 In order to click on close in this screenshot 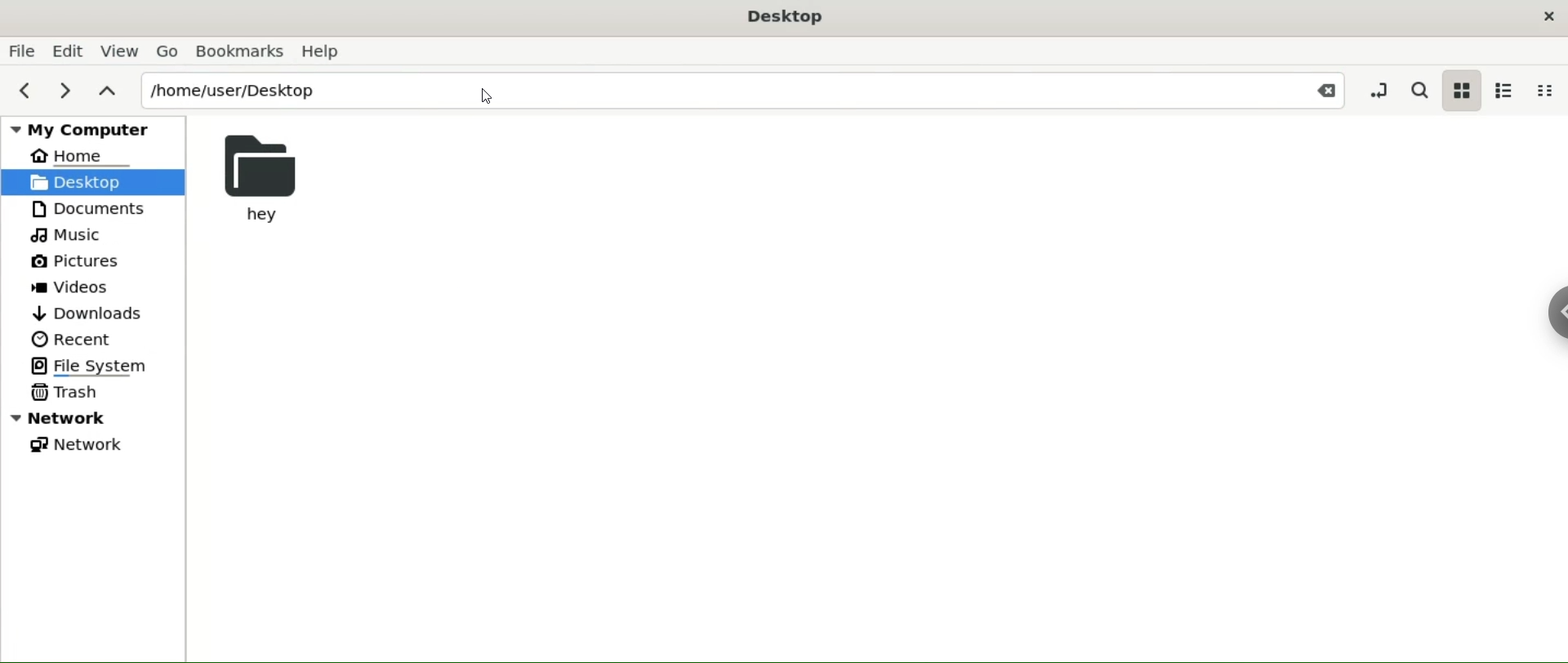, I will do `click(1550, 16)`.